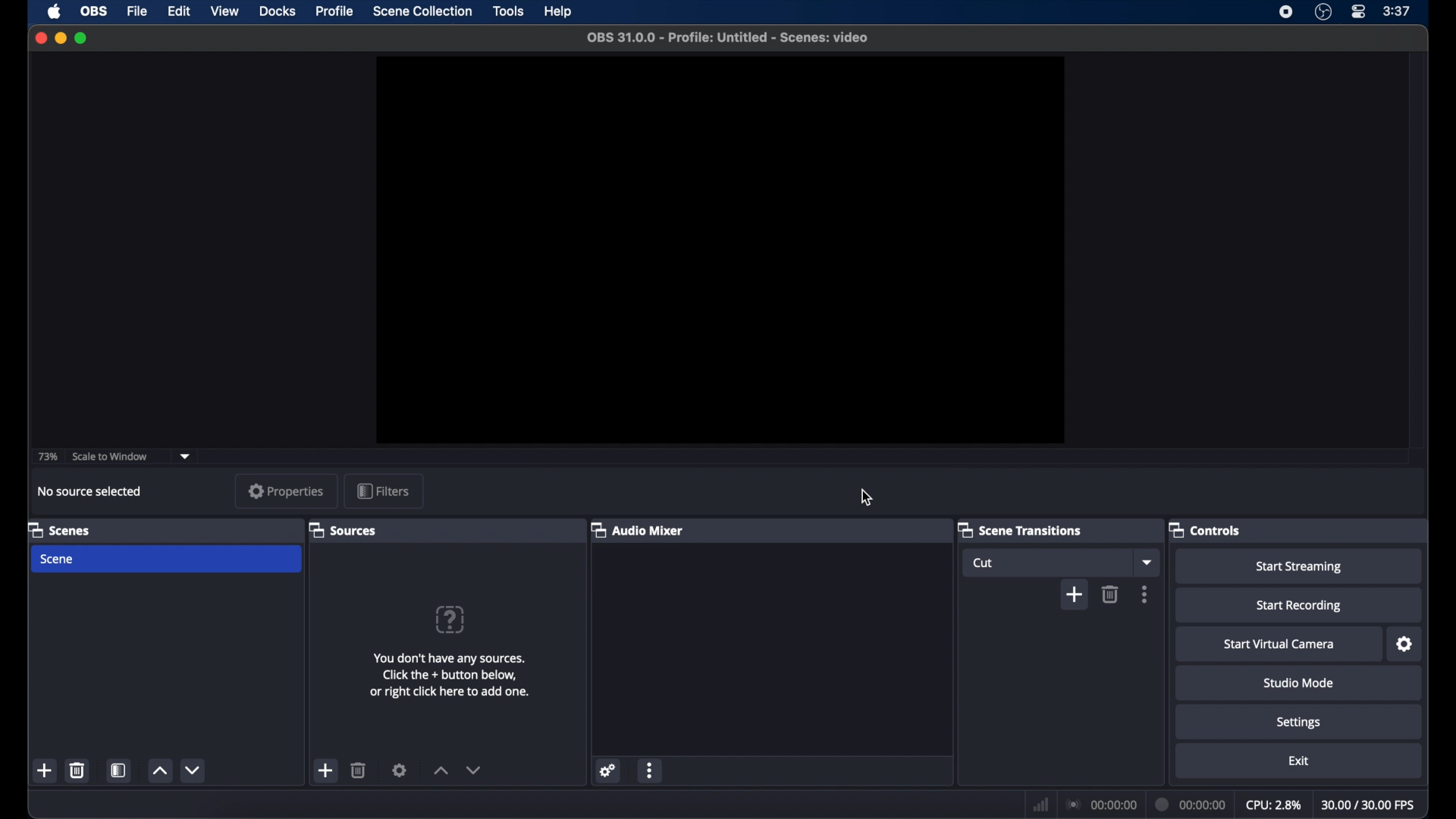 The image size is (1456, 819). Describe the element at coordinates (1205, 529) in the screenshot. I see `controls` at that location.